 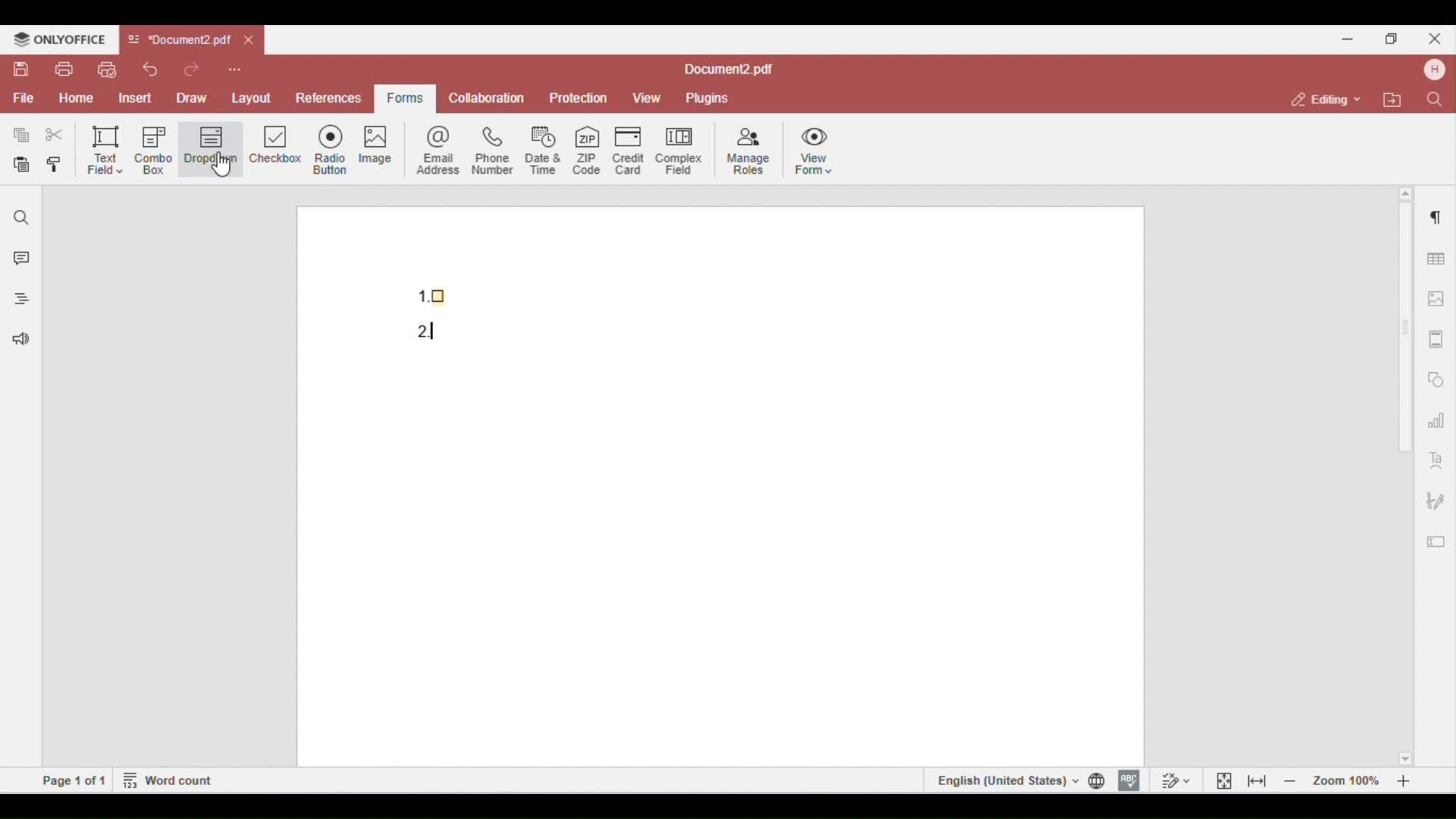 What do you see at coordinates (1174, 780) in the screenshot?
I see `track changes` at bounding box center [1174, 780].